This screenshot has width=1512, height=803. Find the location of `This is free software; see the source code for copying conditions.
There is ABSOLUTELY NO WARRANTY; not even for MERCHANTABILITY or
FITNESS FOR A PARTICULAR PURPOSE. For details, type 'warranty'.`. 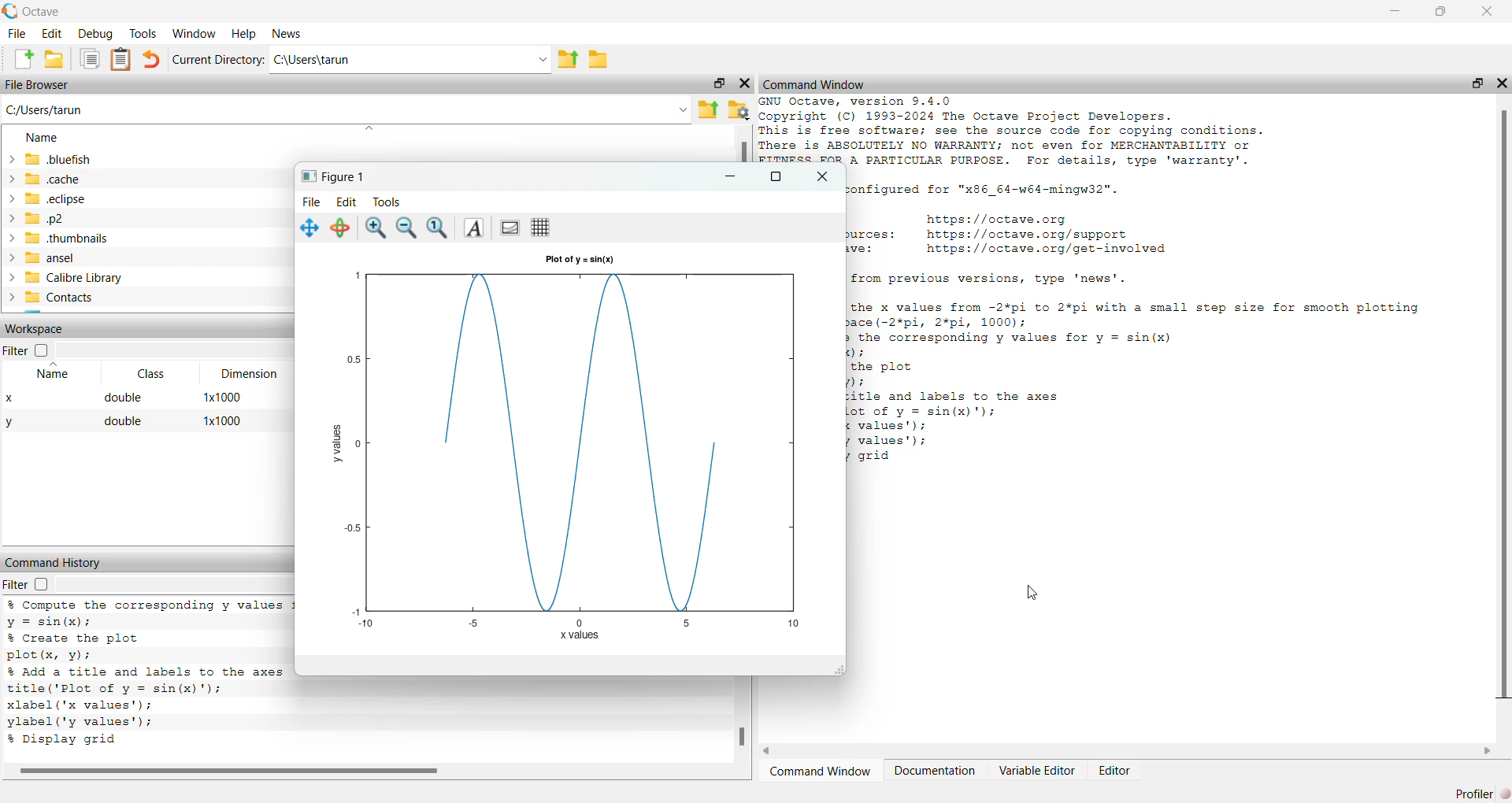

This is free software; see the source code for copying conditions.
There is ABSOLUTELY NO WARRANTY; not even for MERCHANTABILITY or
FITNESS FOR A PARTICULAR PURPOSE. For details, type 'warranty'. is located at coordinates (1009, 145).